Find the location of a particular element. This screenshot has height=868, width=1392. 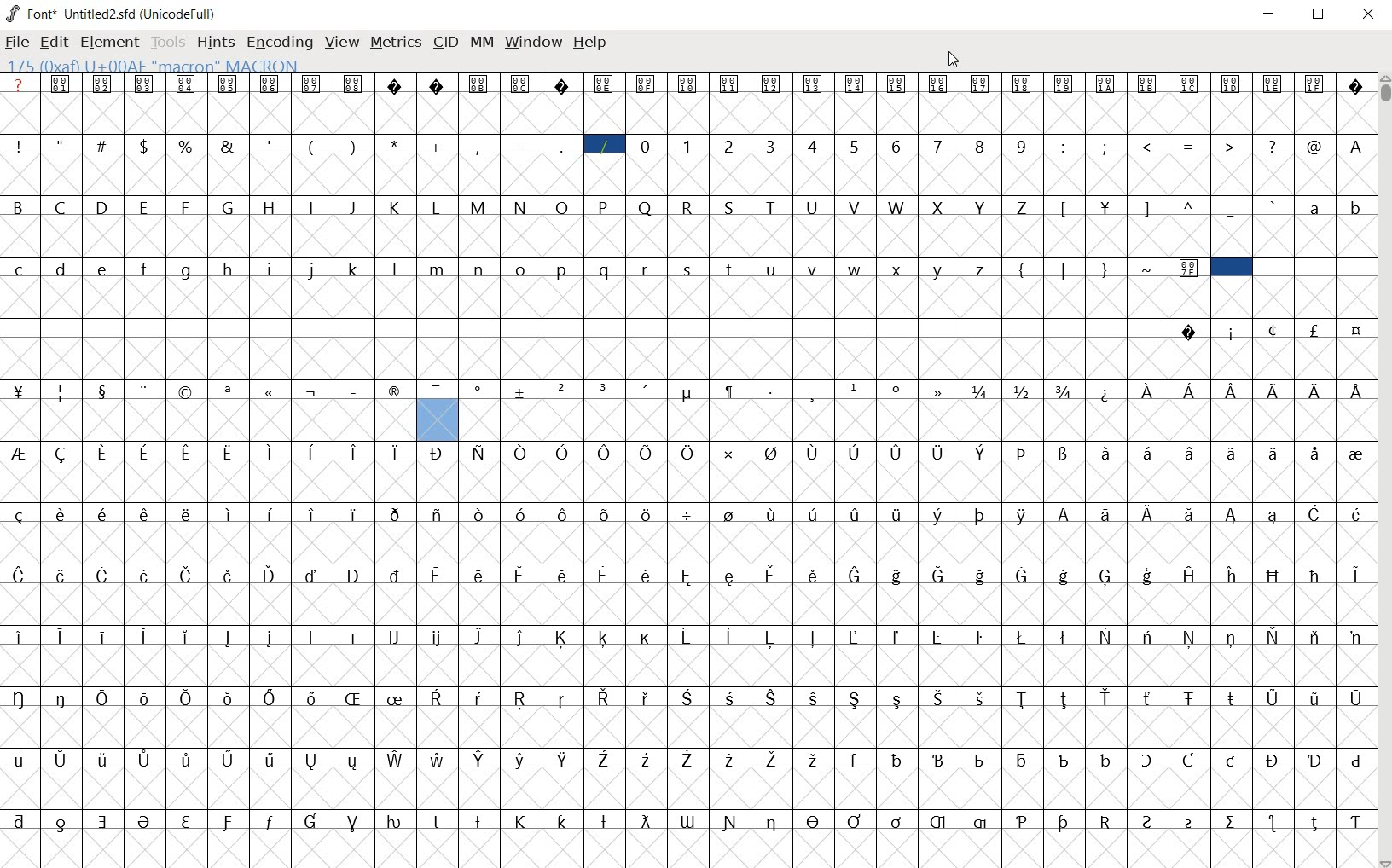

f is located at coordinates (148, 267).